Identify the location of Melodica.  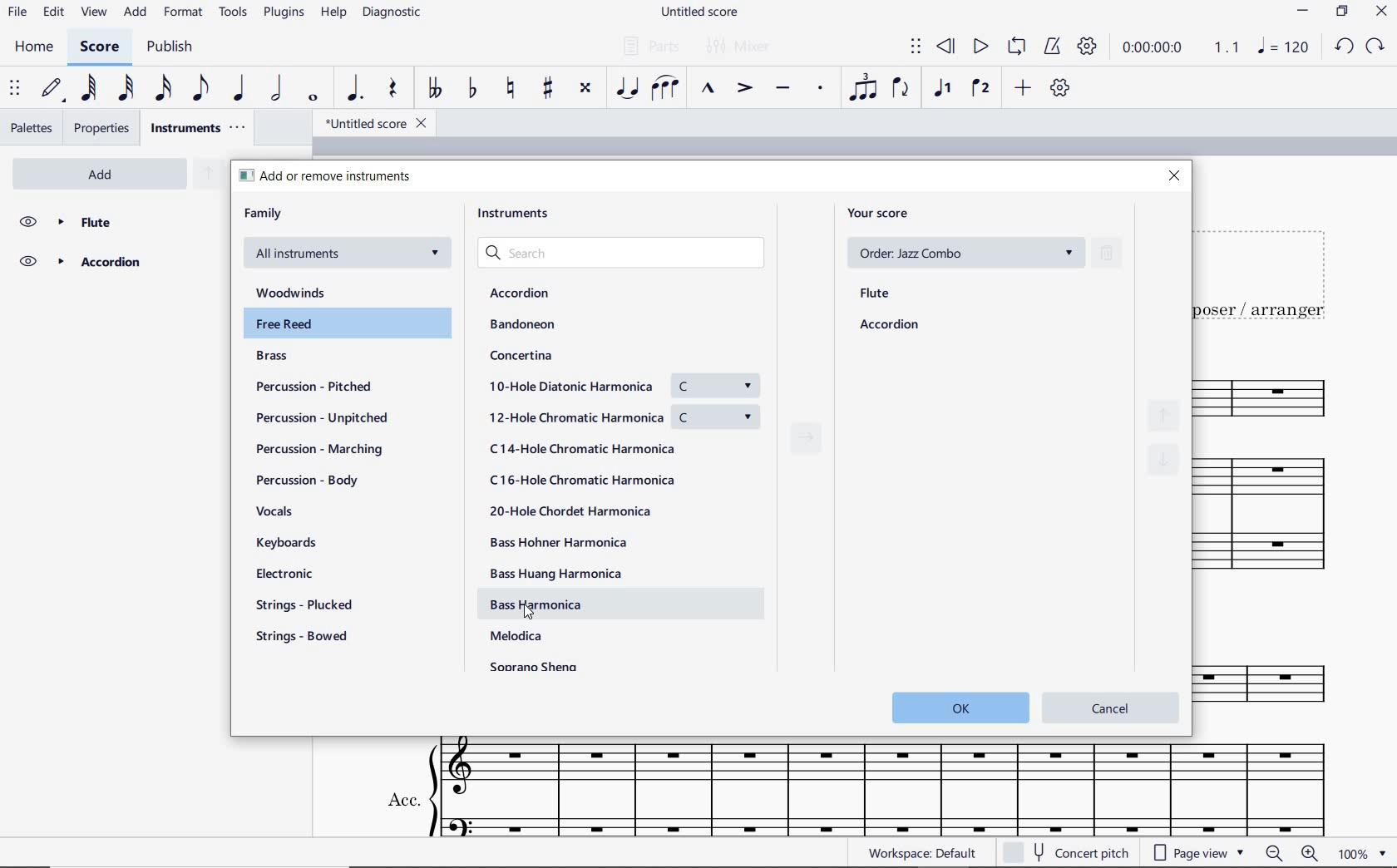
(520, 640).